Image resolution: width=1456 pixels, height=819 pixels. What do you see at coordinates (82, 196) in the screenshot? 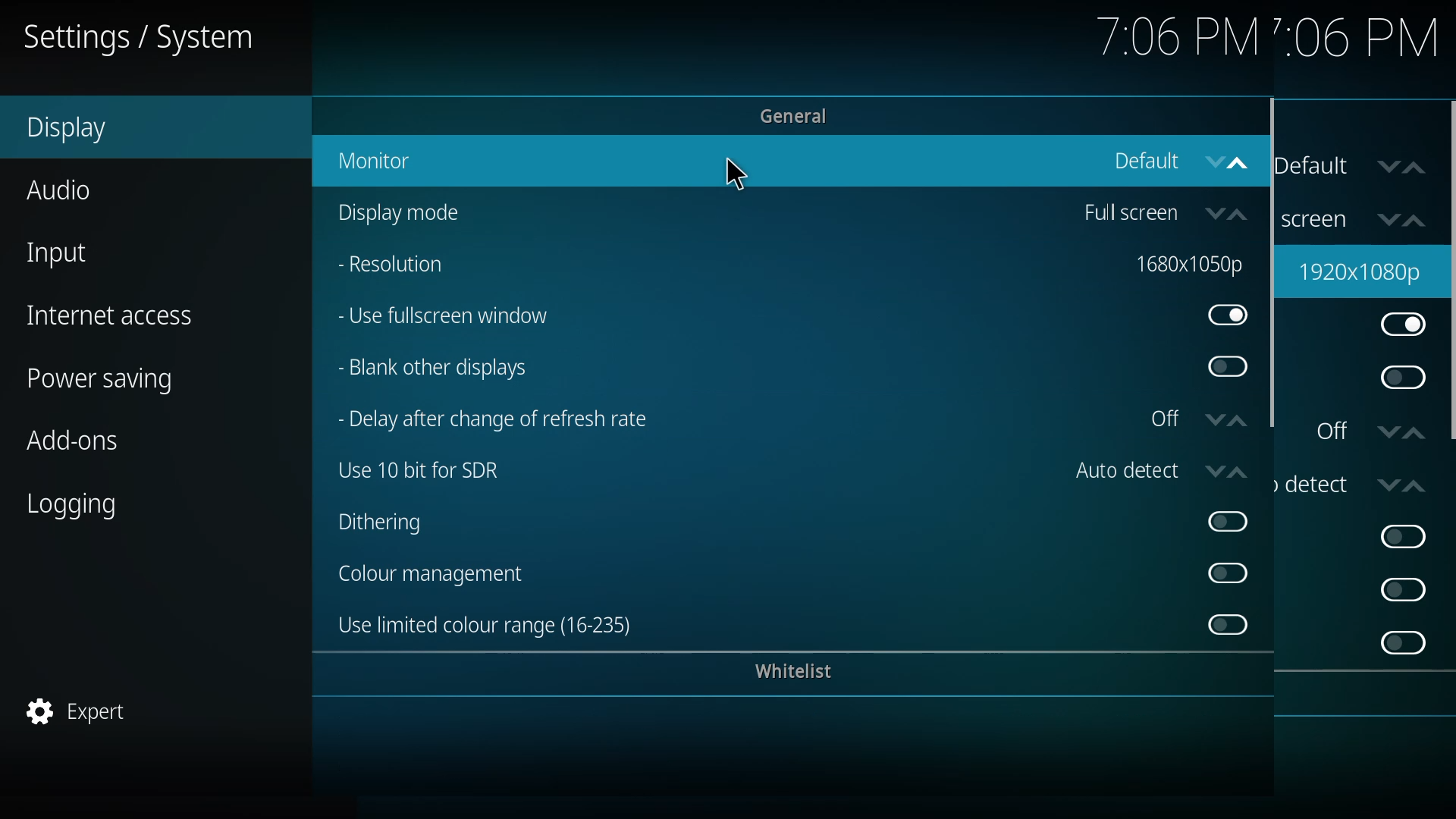
I see `audio` at bounding box center [82, 196].